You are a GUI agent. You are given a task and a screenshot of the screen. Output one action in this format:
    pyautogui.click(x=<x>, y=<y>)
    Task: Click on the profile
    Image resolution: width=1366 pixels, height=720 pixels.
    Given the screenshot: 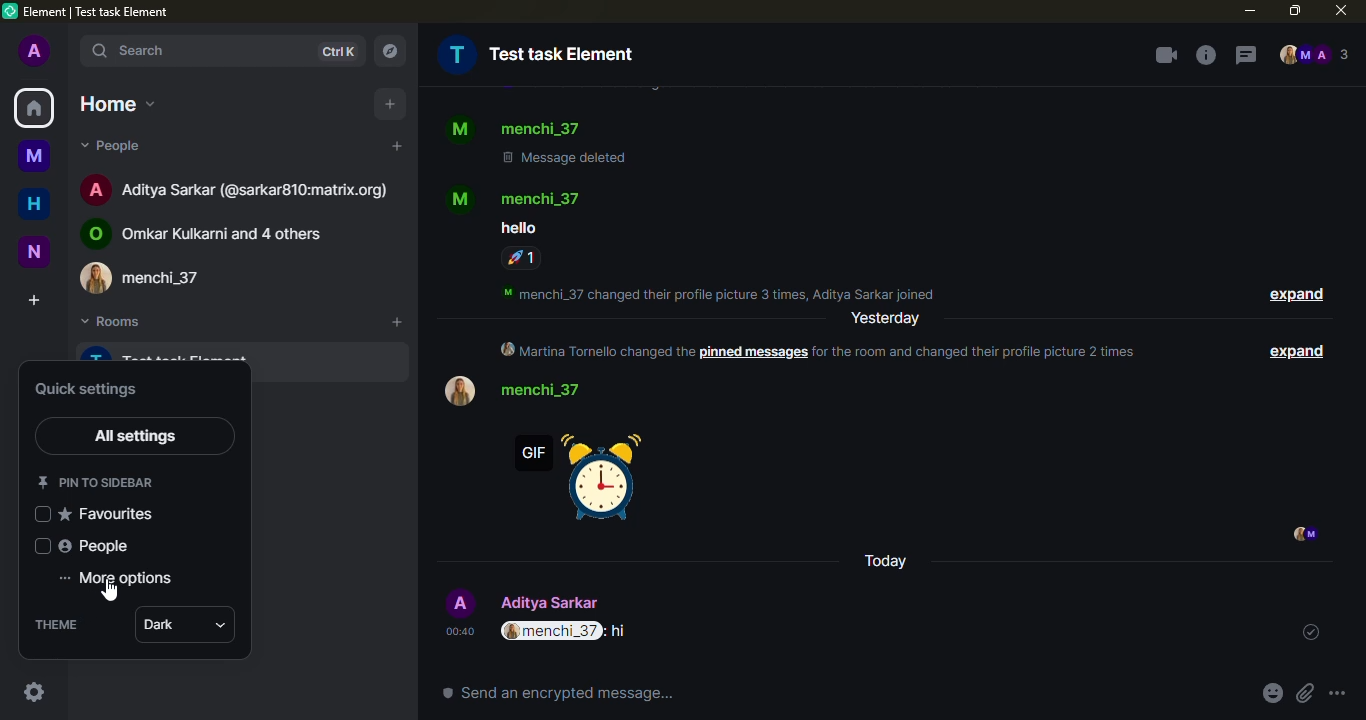 What is the action you would take?
    pyautogui.click(x=460, y=603)
    